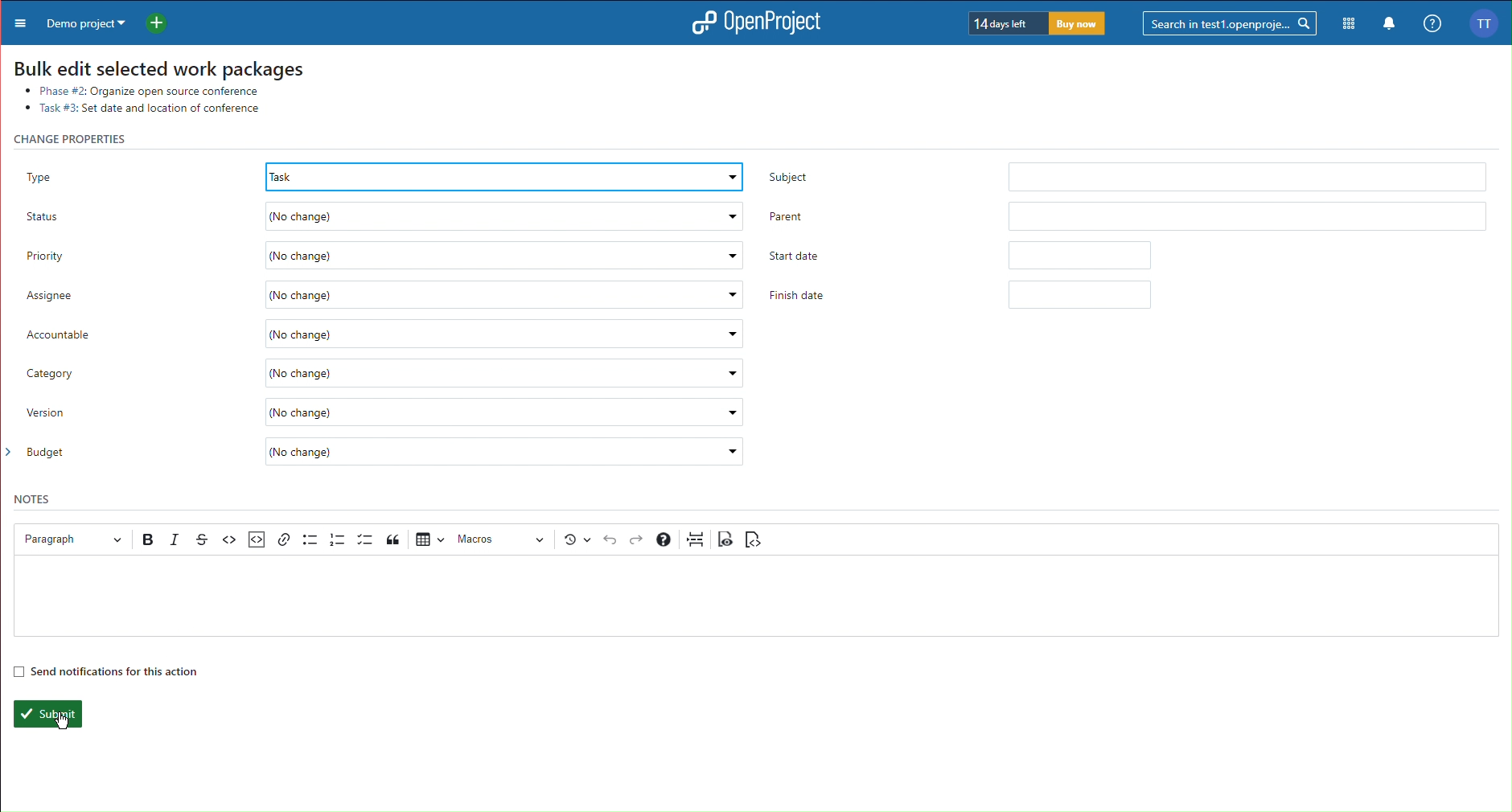 Image resolution: width=1512 pixels, height=812 pixels. I want to click on Redo, so click(638, 540).